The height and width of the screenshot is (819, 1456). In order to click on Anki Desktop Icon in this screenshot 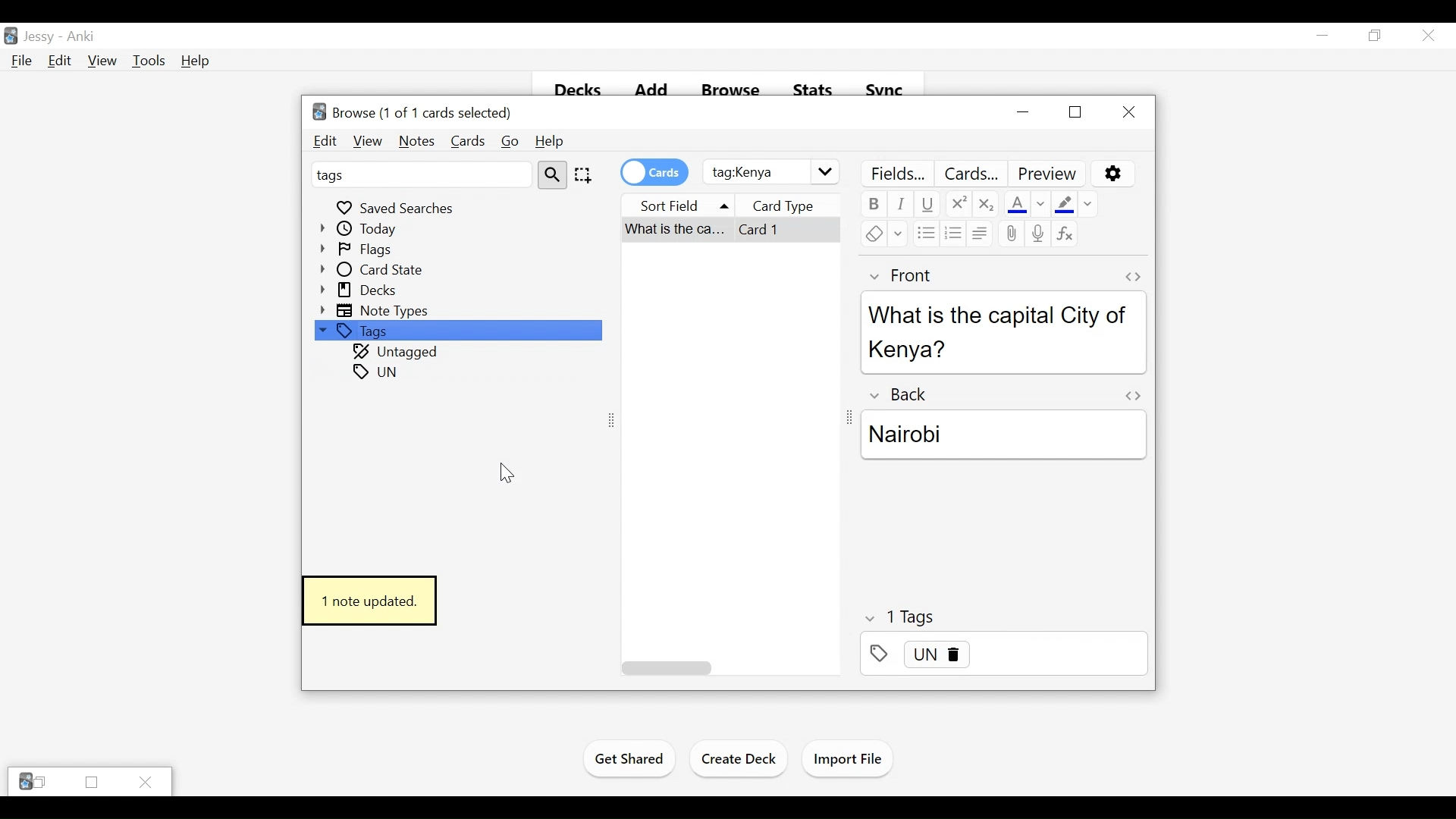, I will do `click(11, 36)`.